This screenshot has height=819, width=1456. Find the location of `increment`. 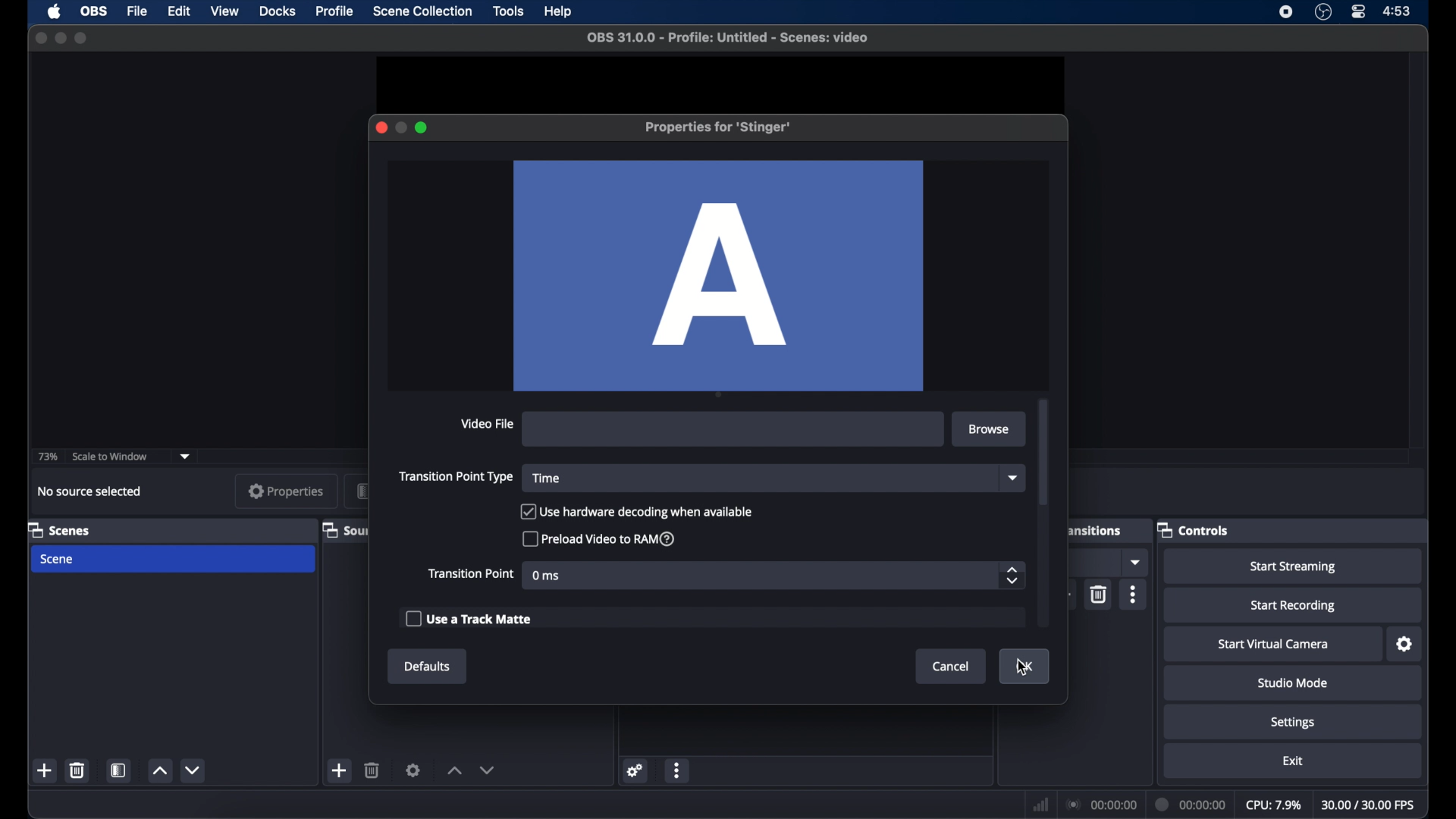

increment is located at coordinates (159, 772).